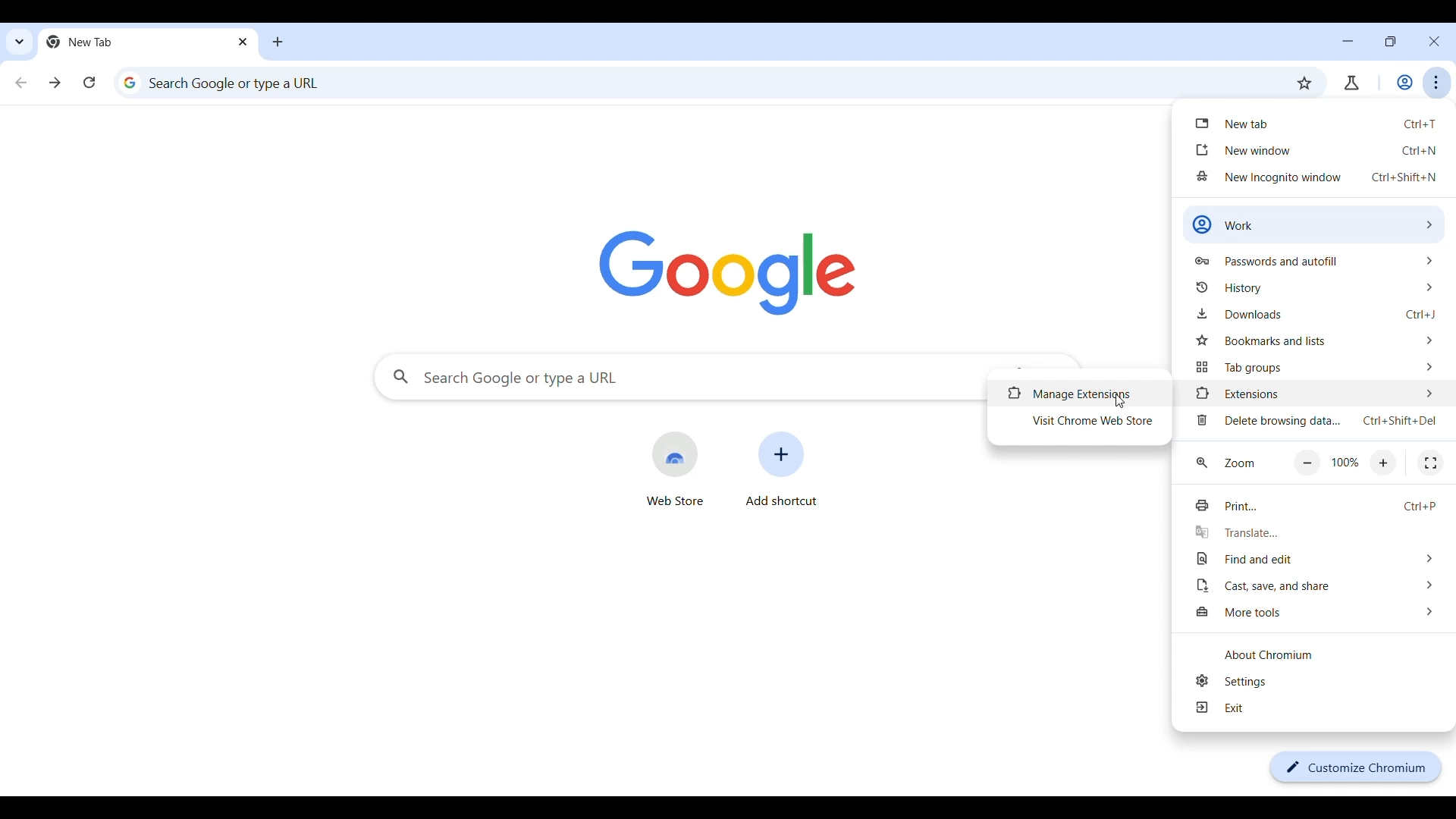 The height and width of the screenshot is (819, 1456). What do you see at coordinates (55, 83) in the screenshot?
I see `Go forward` at bounding box center [55, 83].